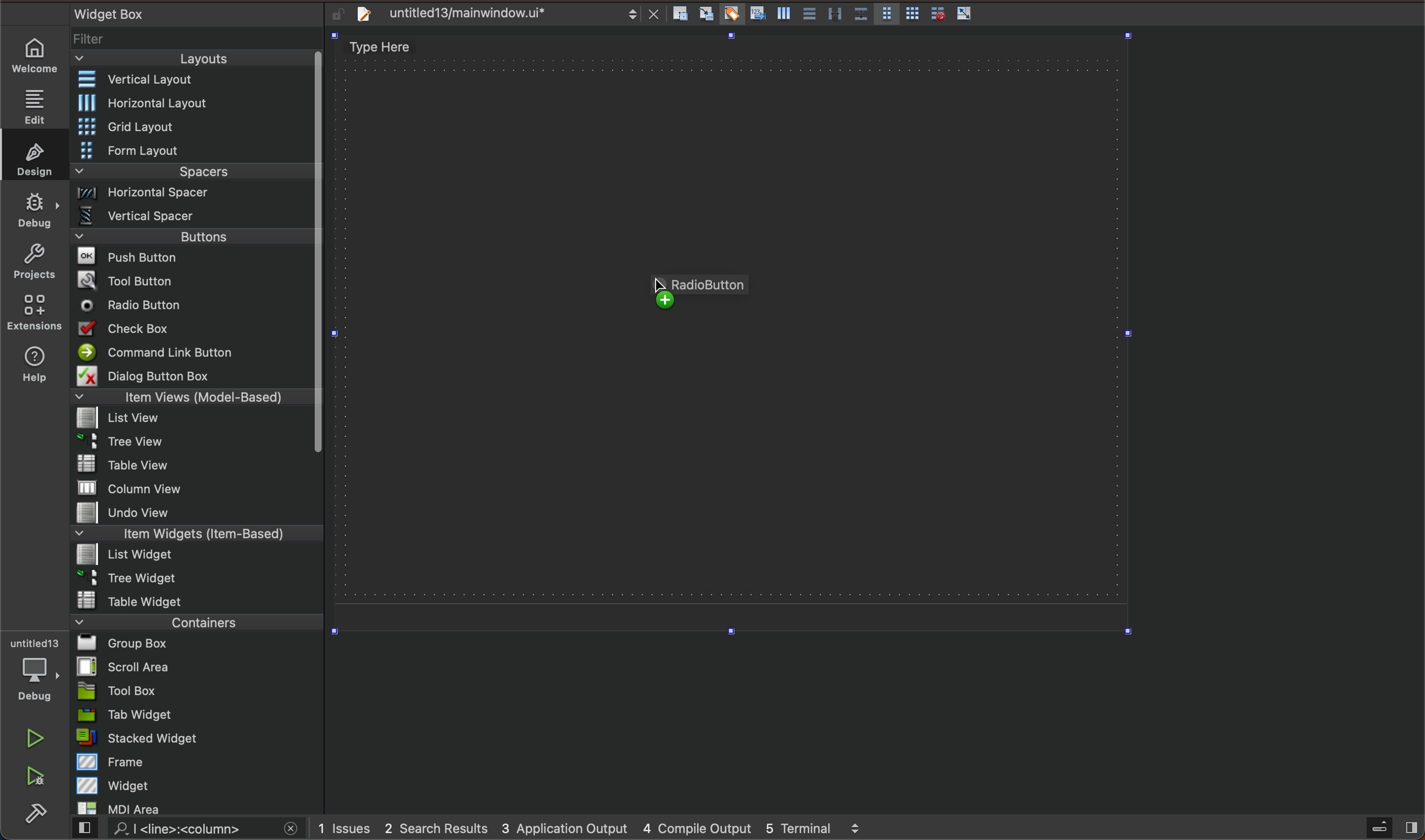 This screenshot has width=1425, height=840. What do you see at coordinates (194, 280) in the screenshot?
I see `tool button` at bounding box center [194, 280].